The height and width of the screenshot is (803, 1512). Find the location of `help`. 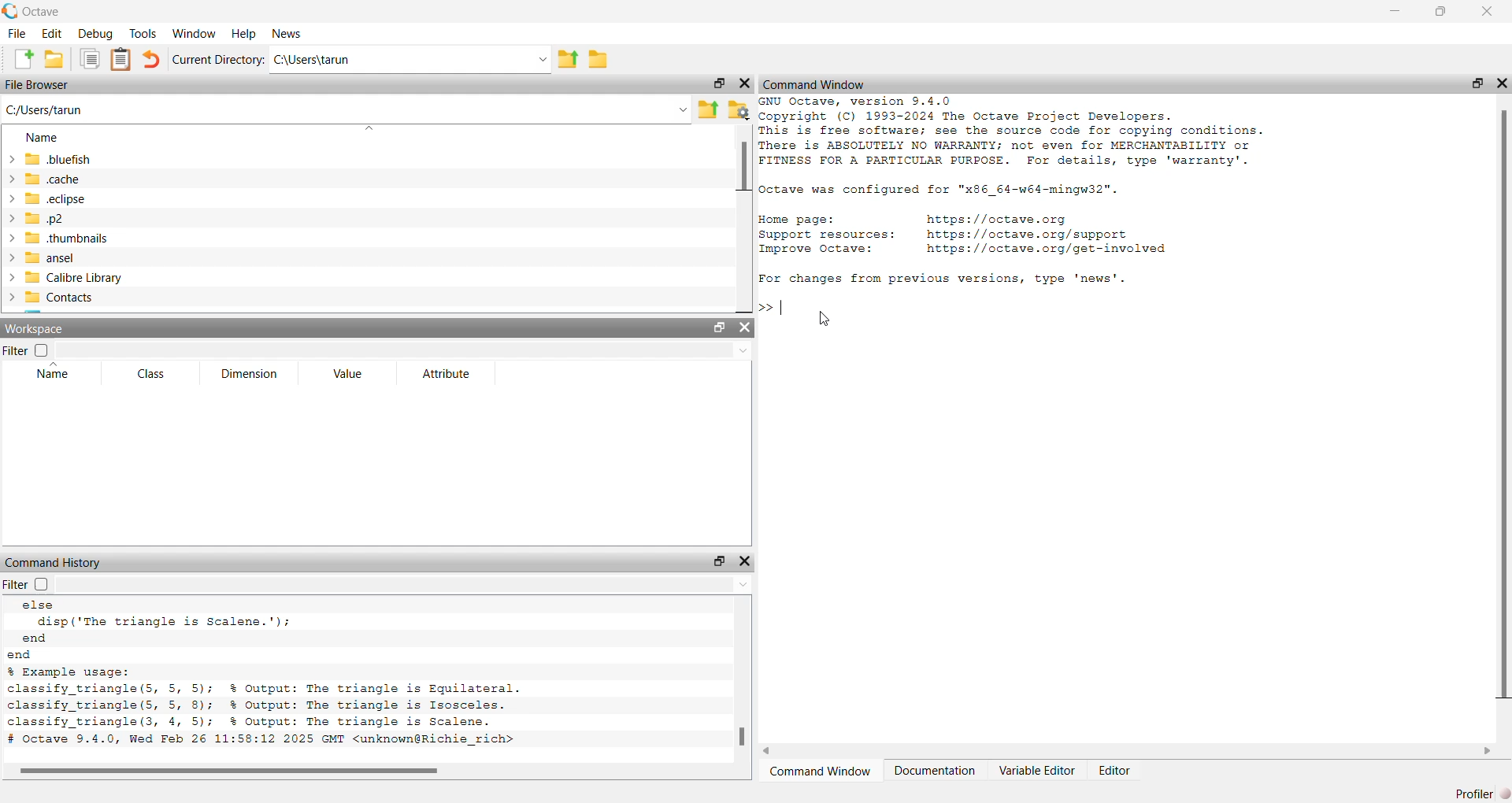

help is located at coordinates (244, 33).